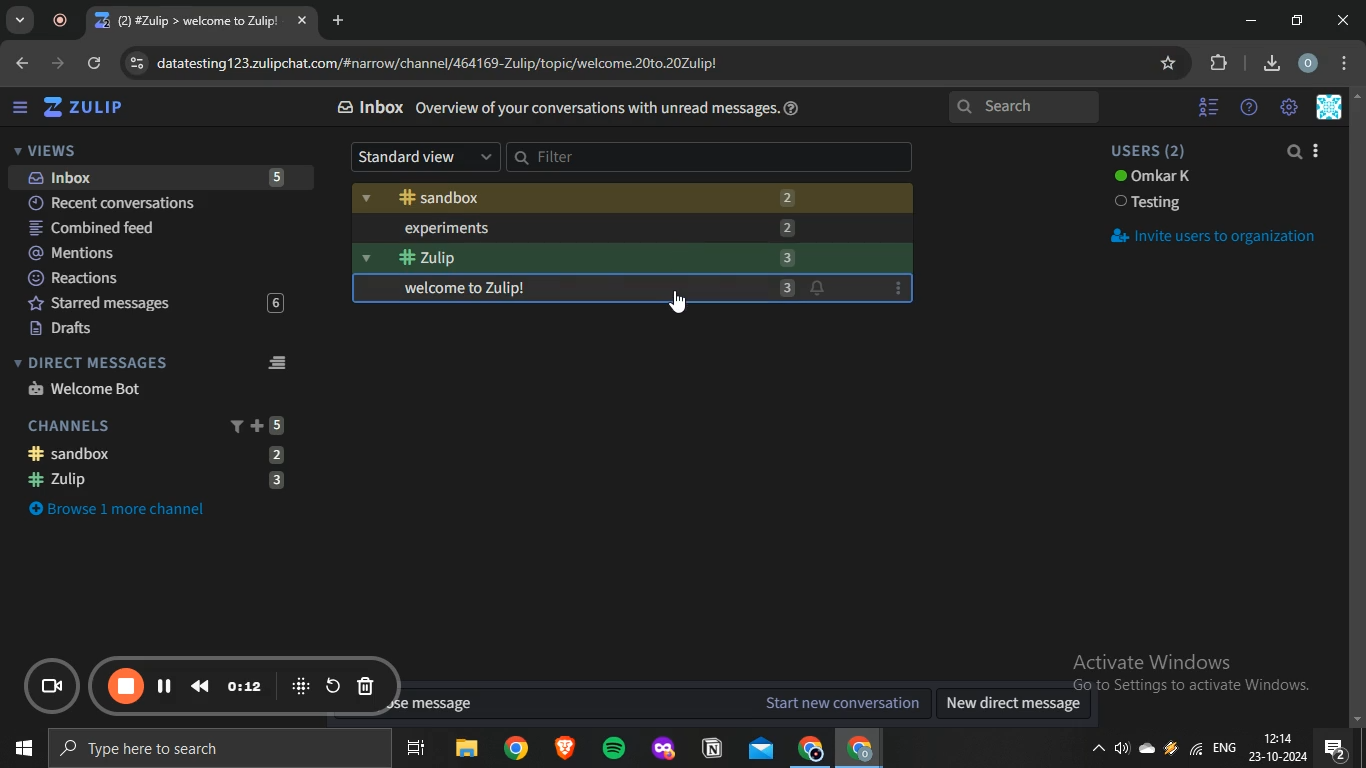 The height and width of the screenshot is (768, 1366). What do you see at coordinates (714, 749) in the screenshot?
I see `notion` at bounding box center [714, 749].